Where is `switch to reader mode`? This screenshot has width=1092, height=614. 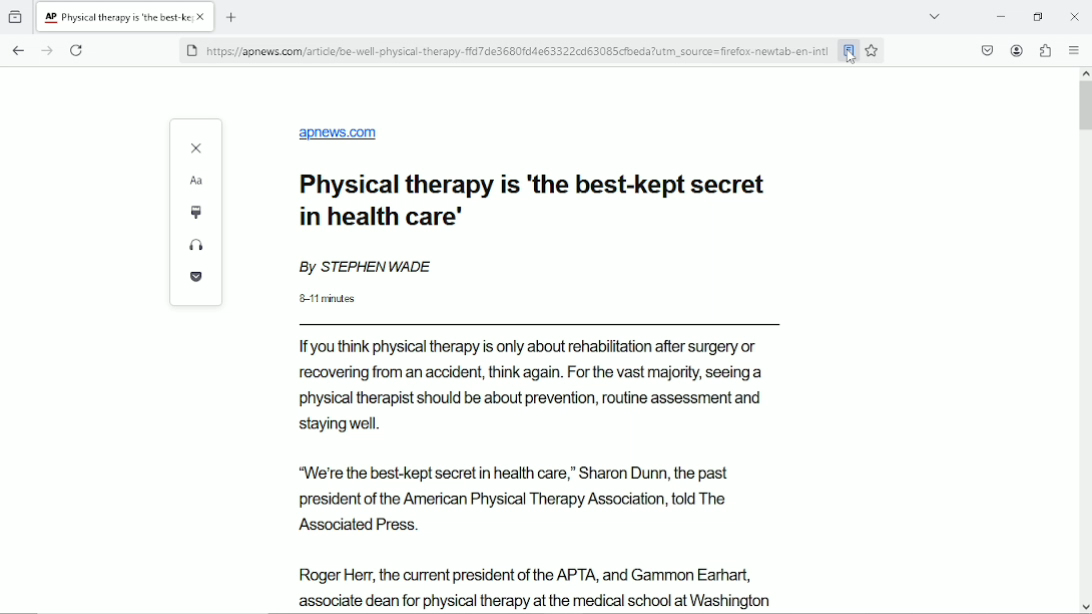 switch to reader mode is located at coordinates (847, 51).